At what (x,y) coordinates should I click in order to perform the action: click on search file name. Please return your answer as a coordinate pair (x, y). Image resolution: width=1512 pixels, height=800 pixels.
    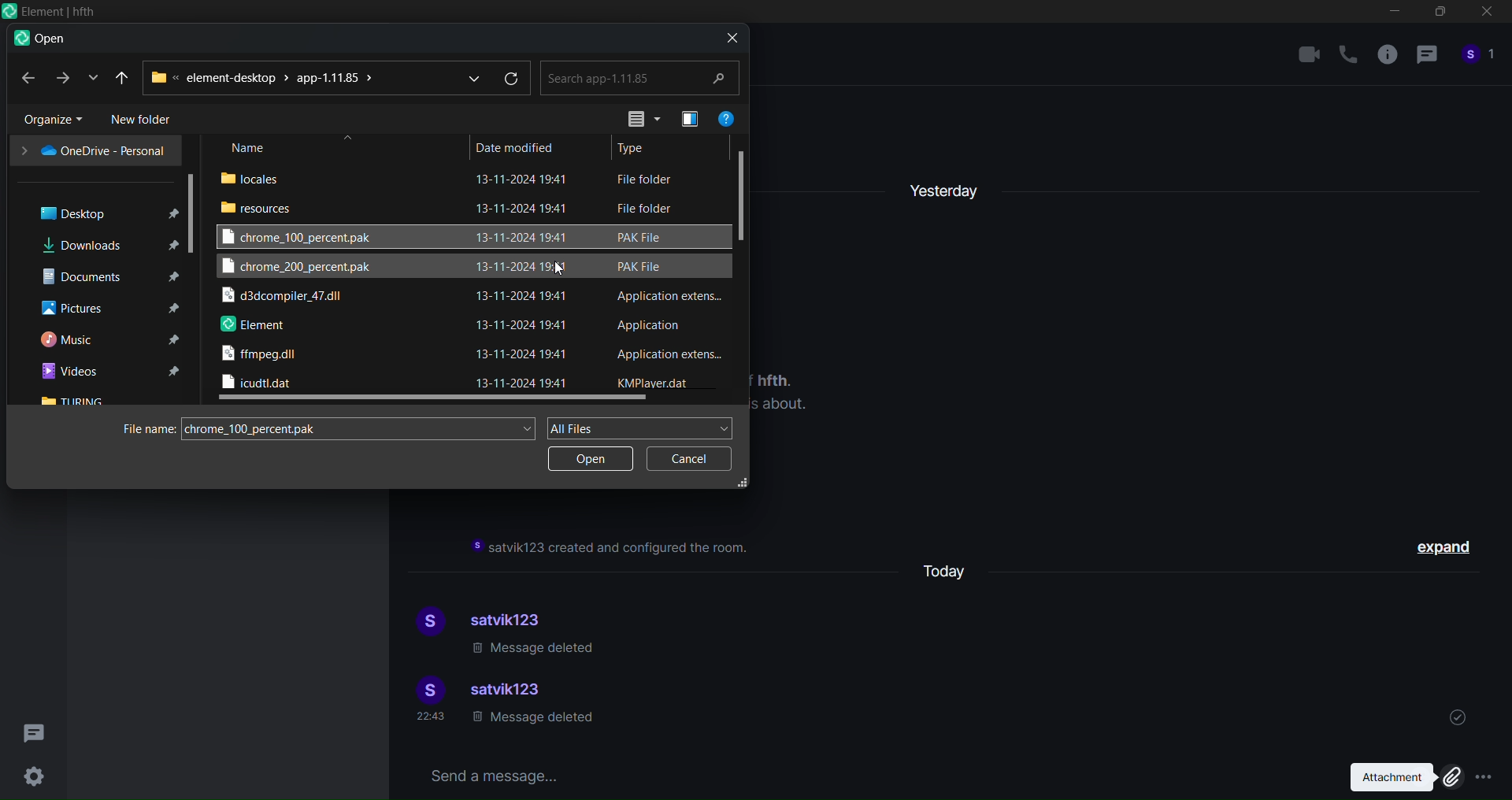
    Looking at the image, I should click on (362, 426).